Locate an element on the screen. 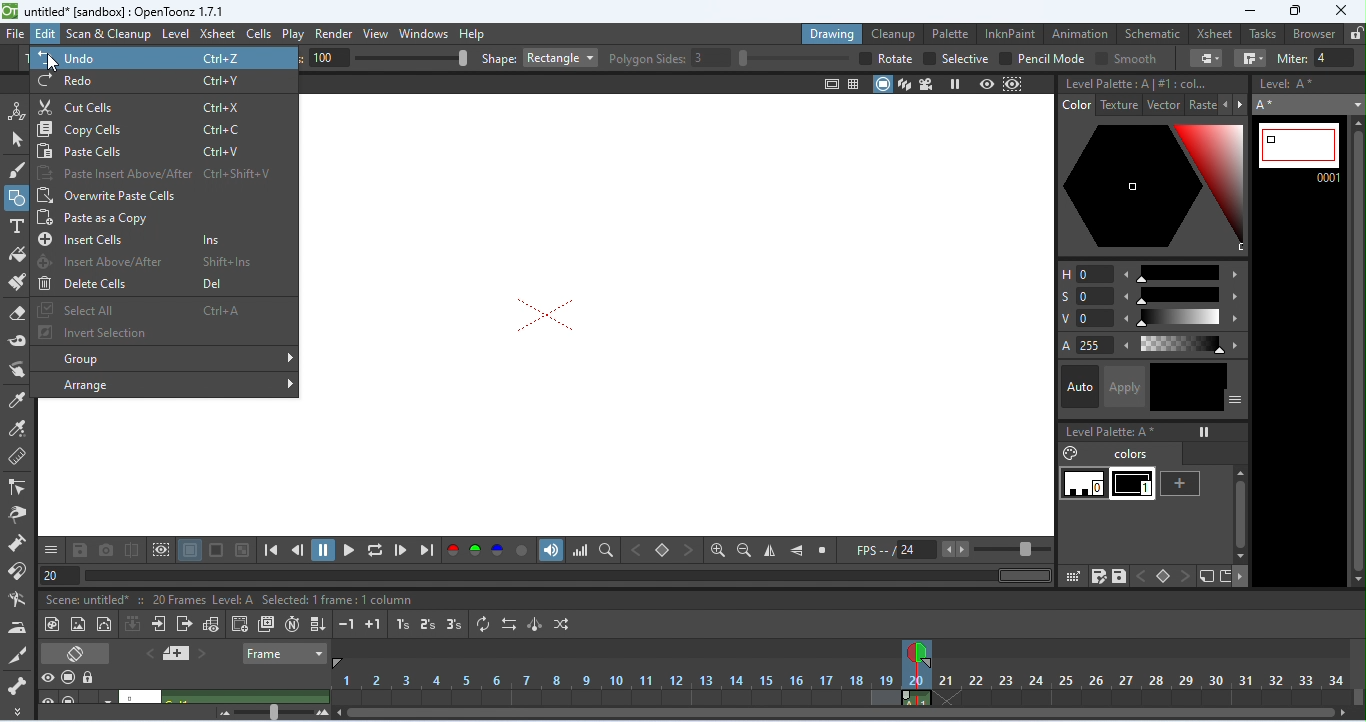 The height and width of the screenshot is (722, 1366). open sub-xsheet is located at coordinates (159, 622).